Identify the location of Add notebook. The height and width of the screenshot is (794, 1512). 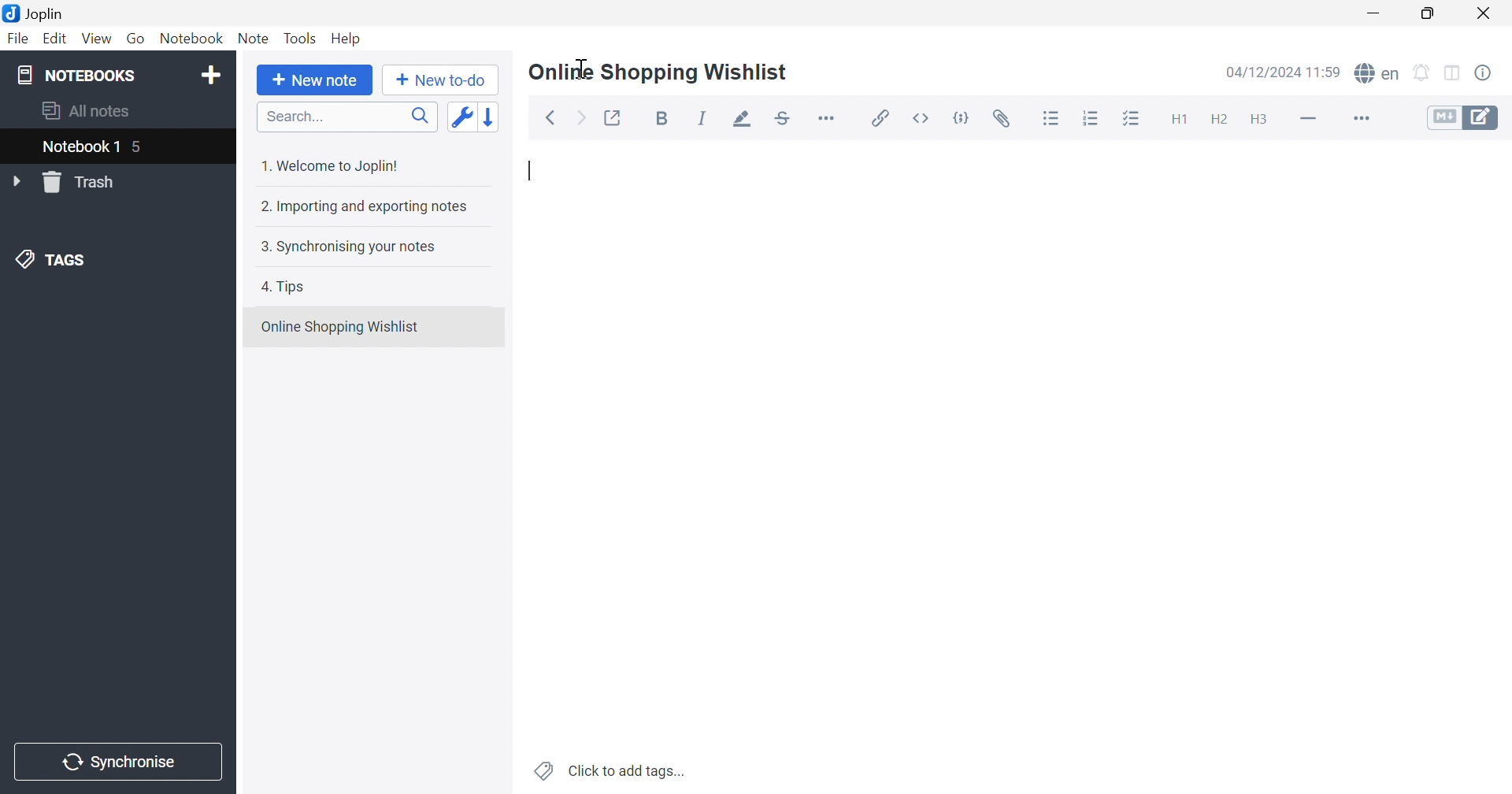
(213, 76).